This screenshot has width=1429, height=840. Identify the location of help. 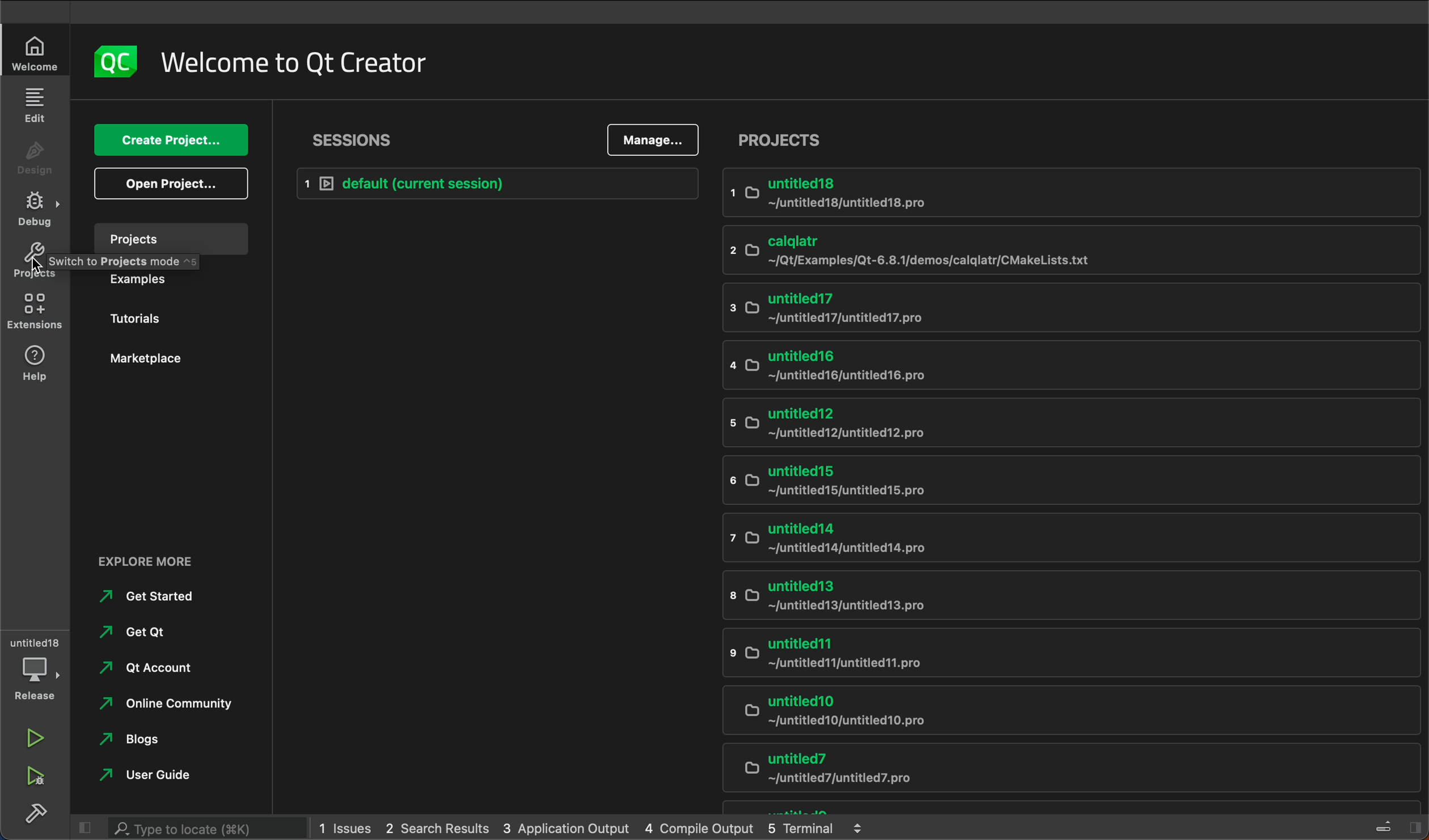
(36, 362).